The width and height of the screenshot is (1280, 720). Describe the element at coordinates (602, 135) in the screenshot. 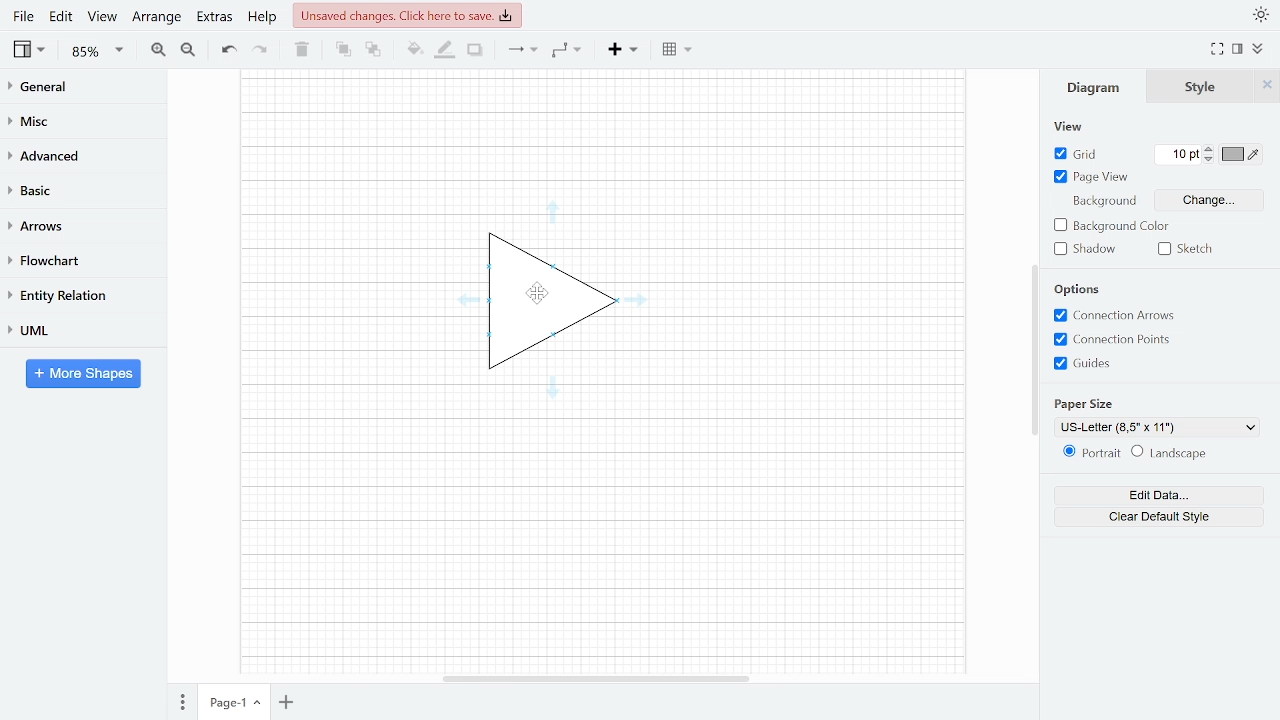

I see `workspace` at that location.